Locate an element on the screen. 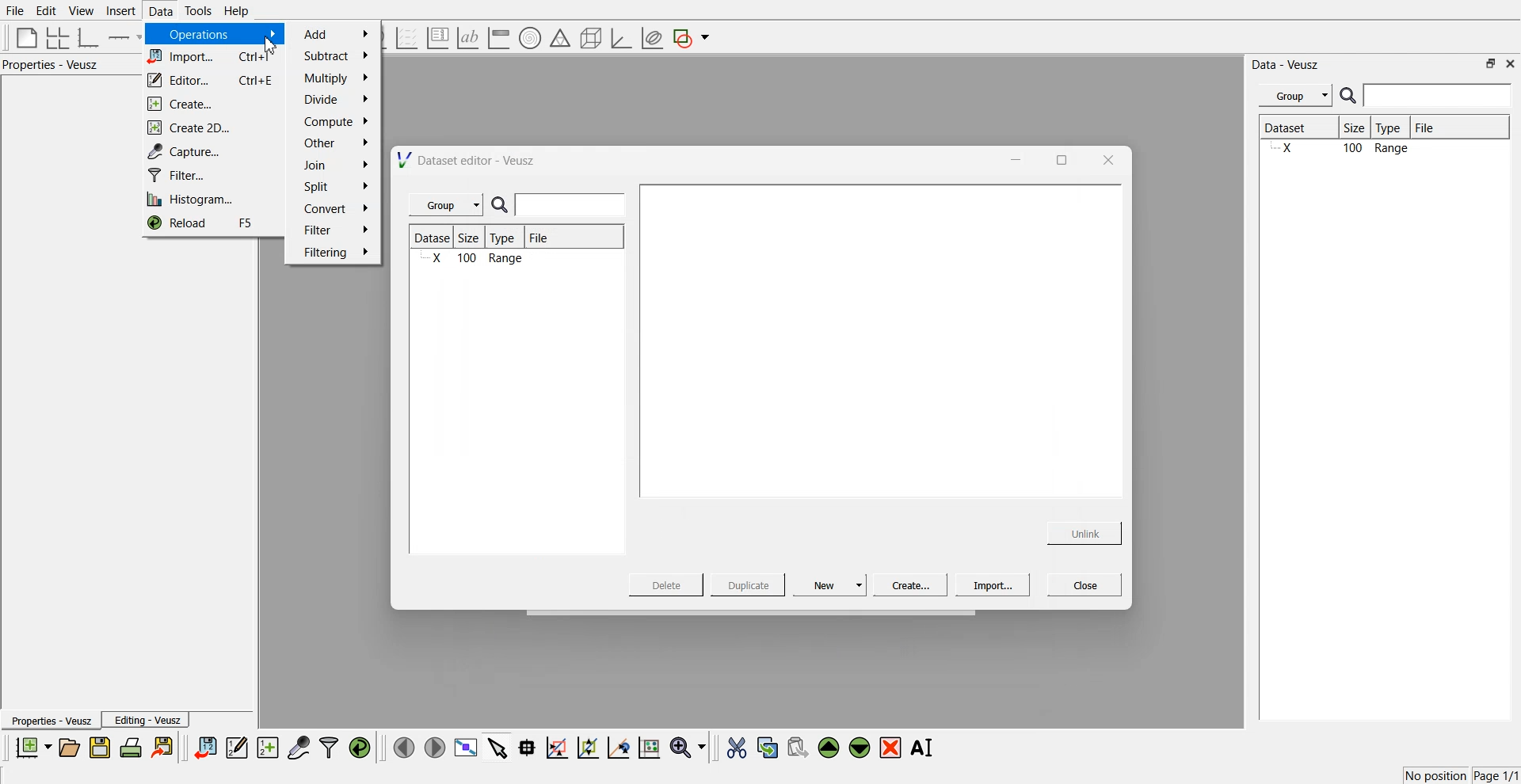 The height and width of the screenshot is (784, 1521). Filtering is located at coordinates (334, 252).